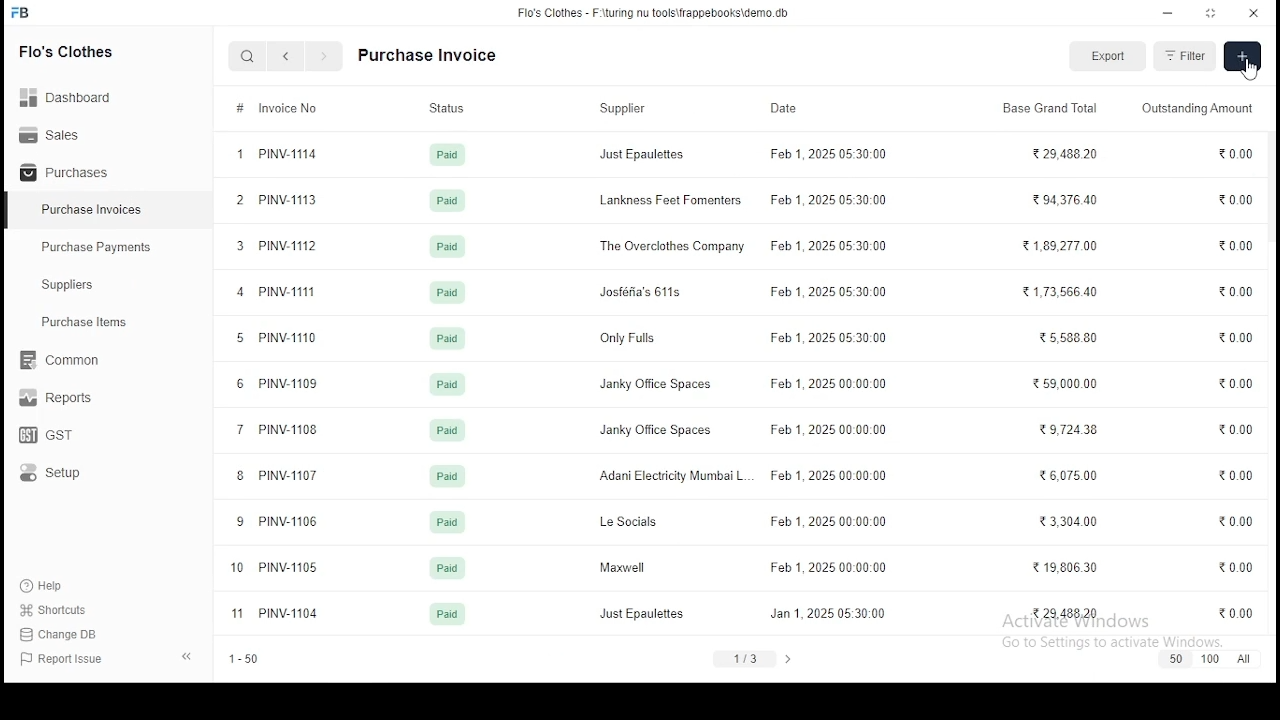  Describe the element at coordinates (784, 106) in the screenshot. I see `date` at that location.